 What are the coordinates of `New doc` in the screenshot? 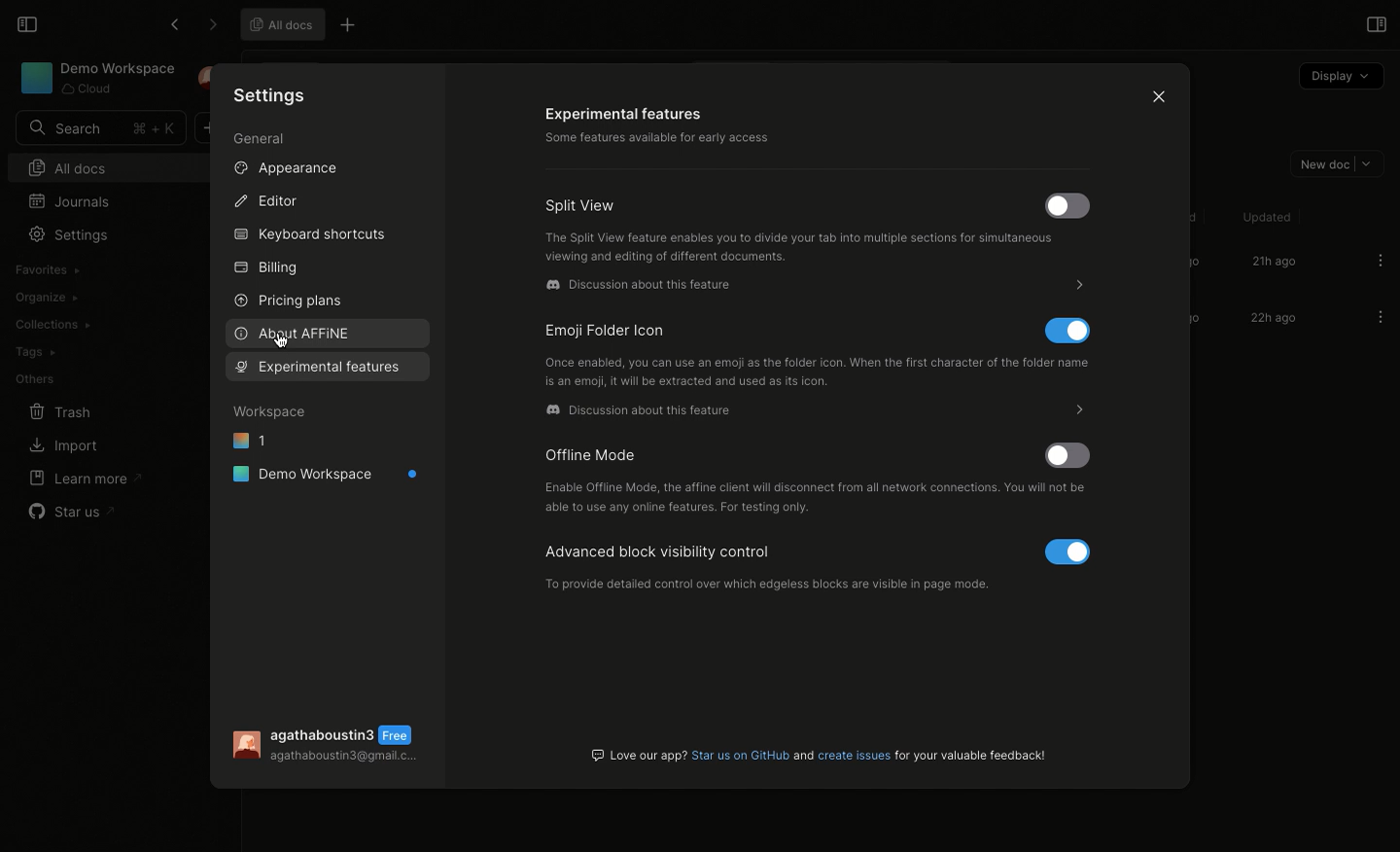 It's located at (1333, 162).